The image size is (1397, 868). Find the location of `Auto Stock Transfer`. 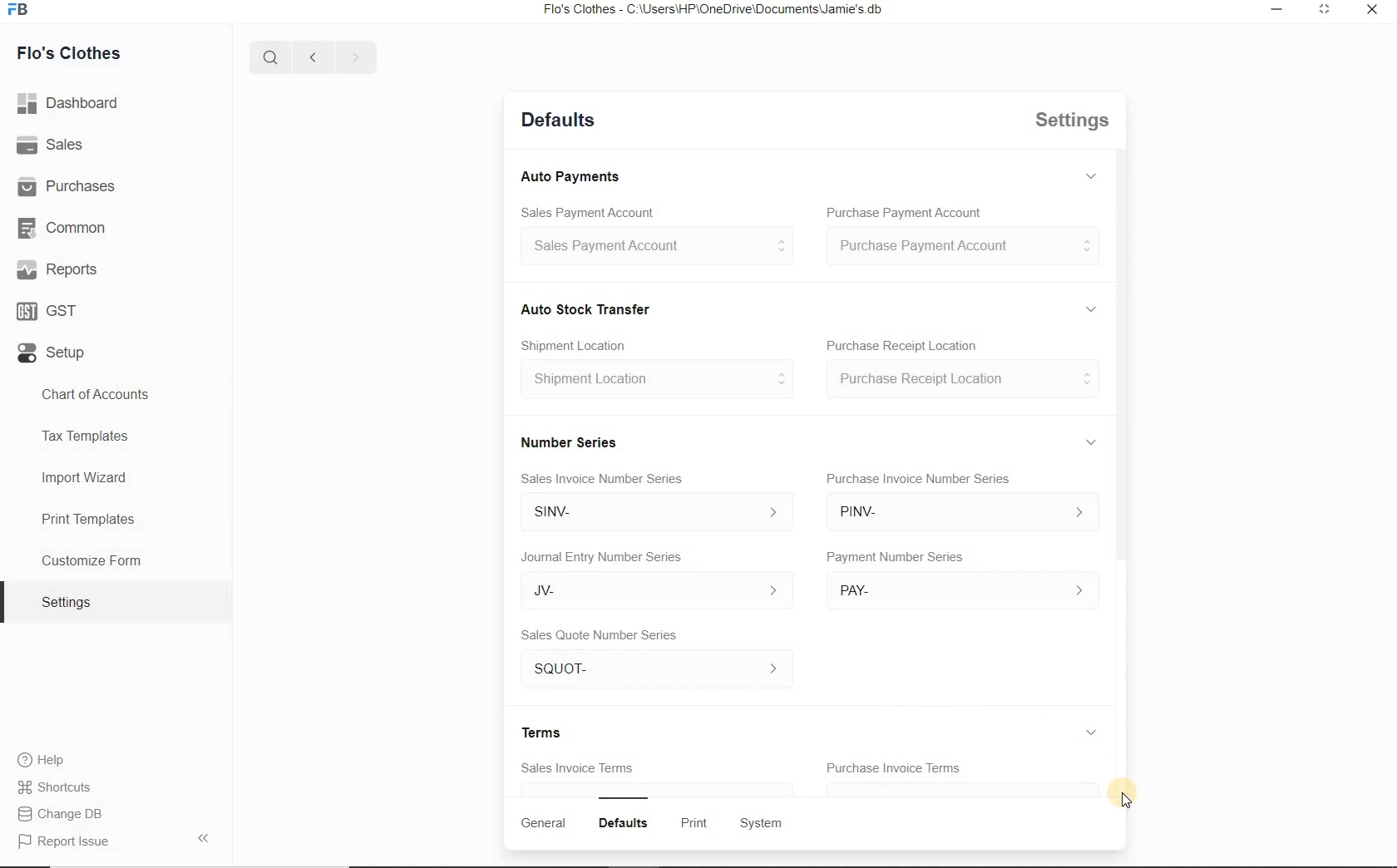

Auto Stock Transfer is located at coordinates (585, 309).